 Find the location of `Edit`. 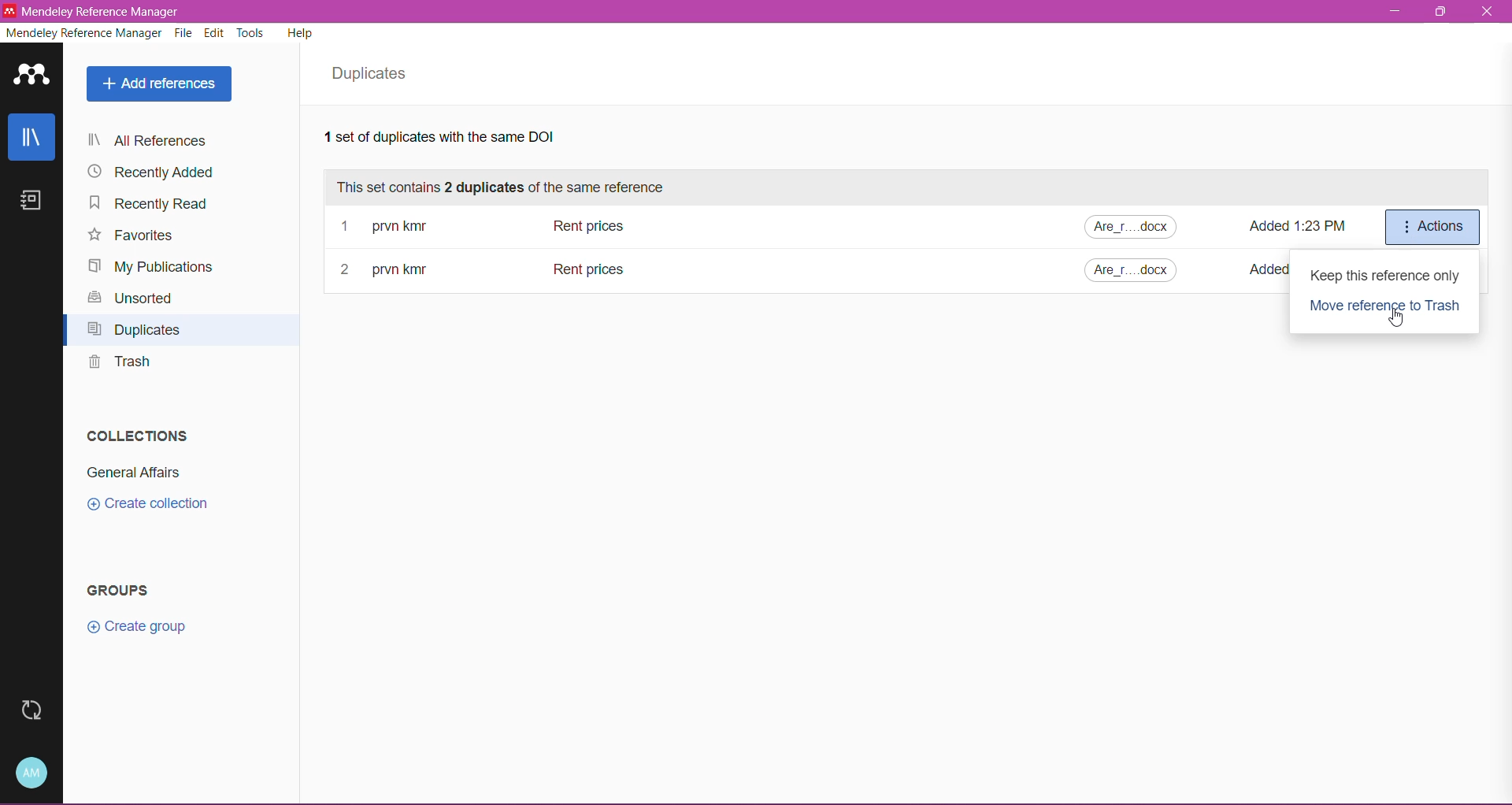

Edit is located at coordinates (215, 33).